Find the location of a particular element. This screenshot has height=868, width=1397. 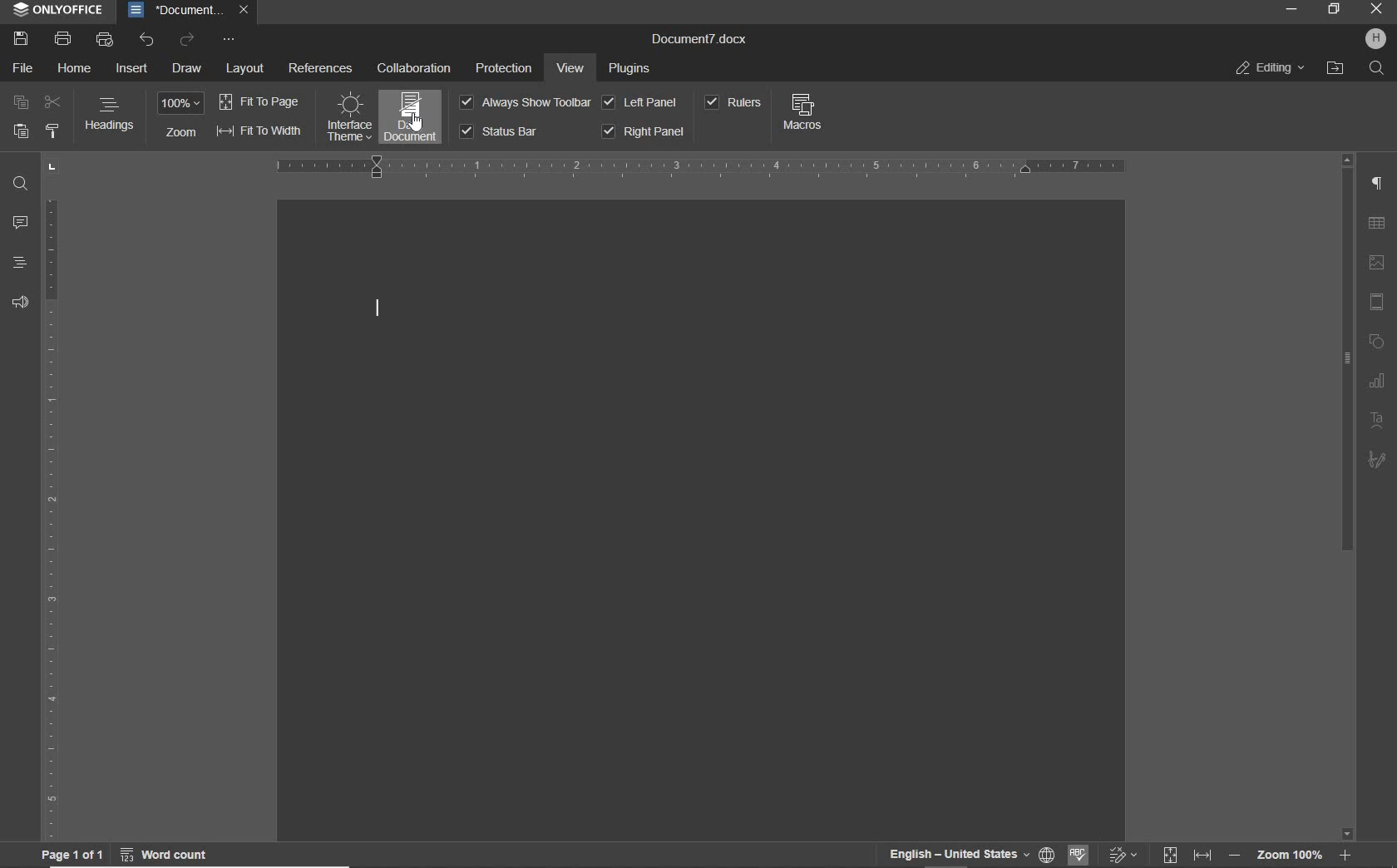

SYSTEM NAME is located at coordinates (55, 12).